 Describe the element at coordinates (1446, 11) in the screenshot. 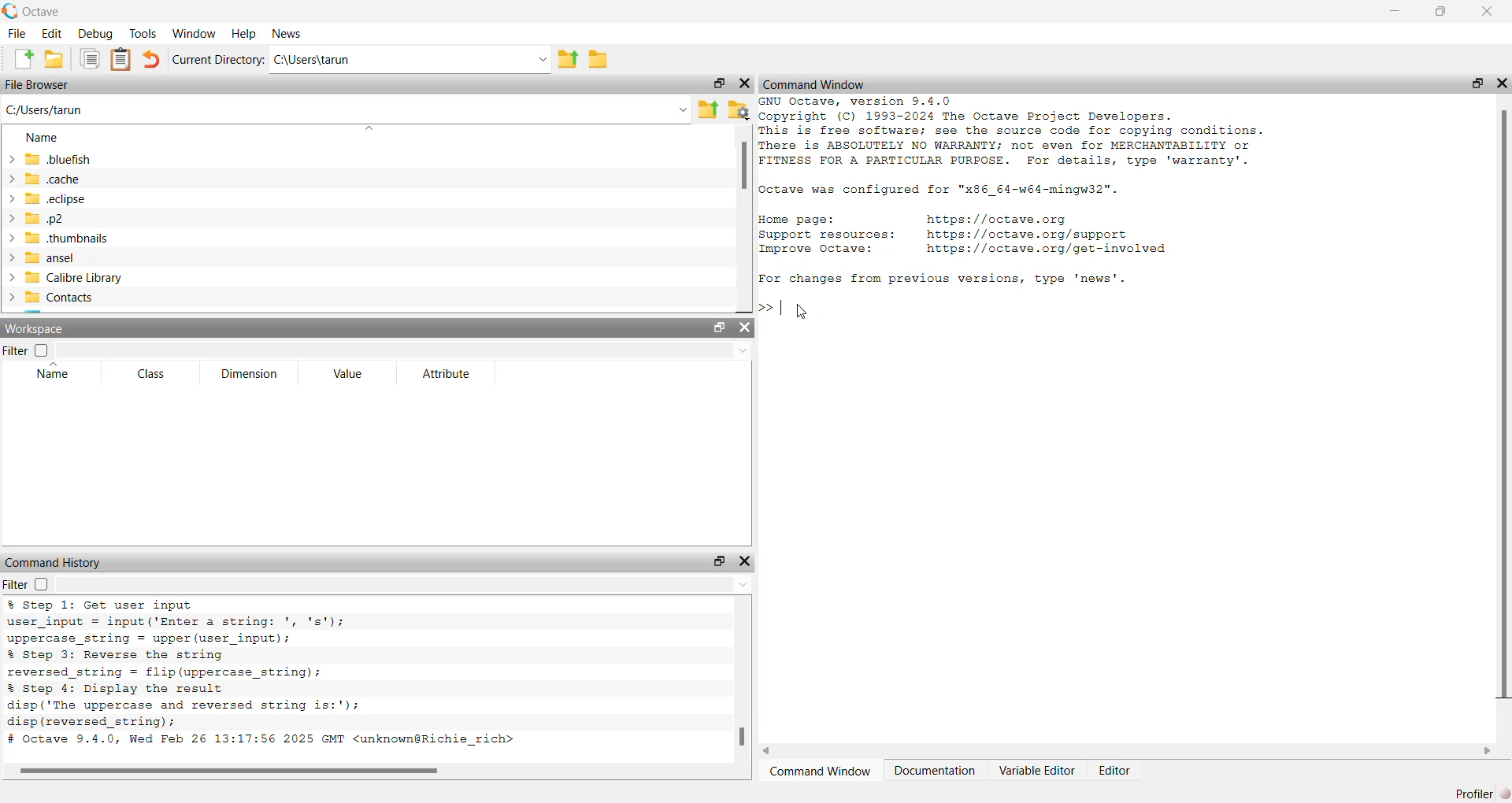

I see `maximize` at that location.